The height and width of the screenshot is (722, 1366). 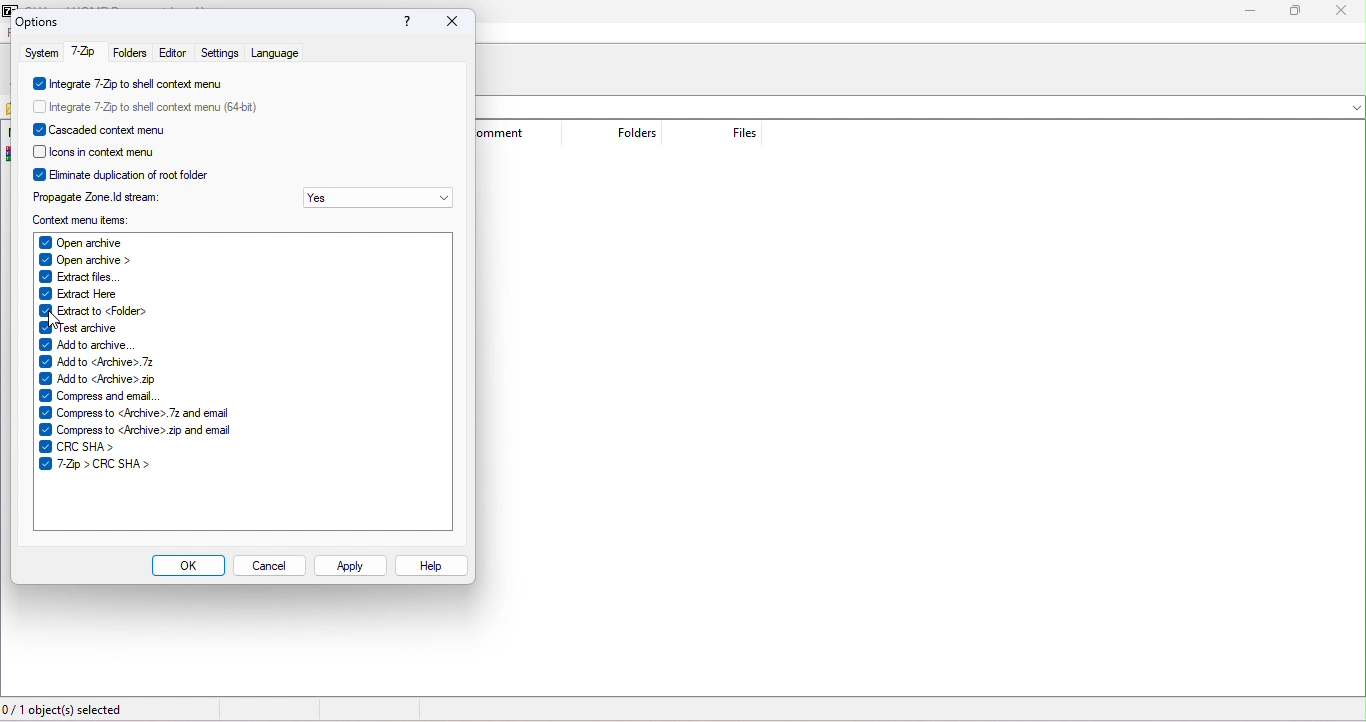 I want to click on Extract to <Folder>, so click(x=94, y=311).